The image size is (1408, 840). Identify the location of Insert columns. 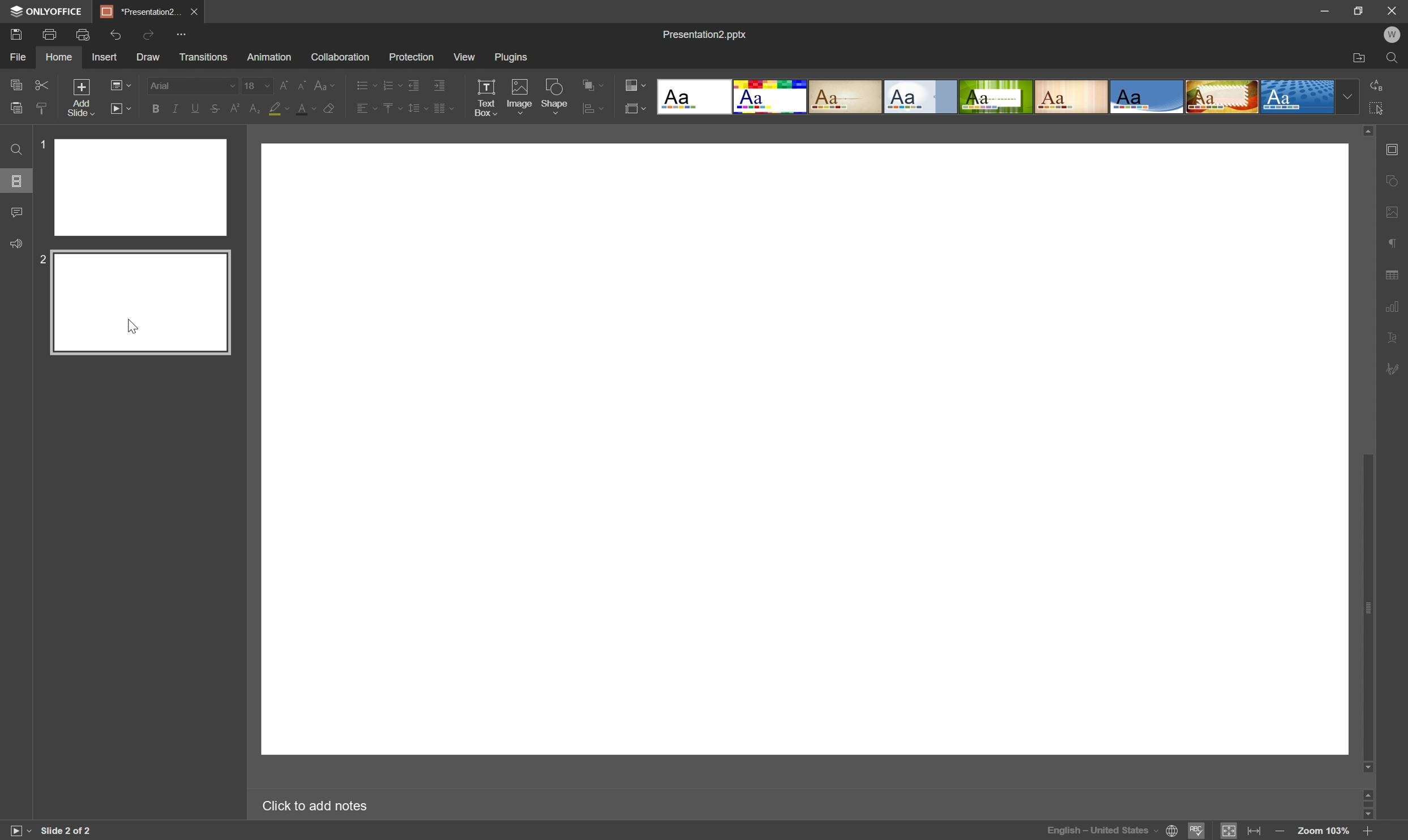
(444, 109).